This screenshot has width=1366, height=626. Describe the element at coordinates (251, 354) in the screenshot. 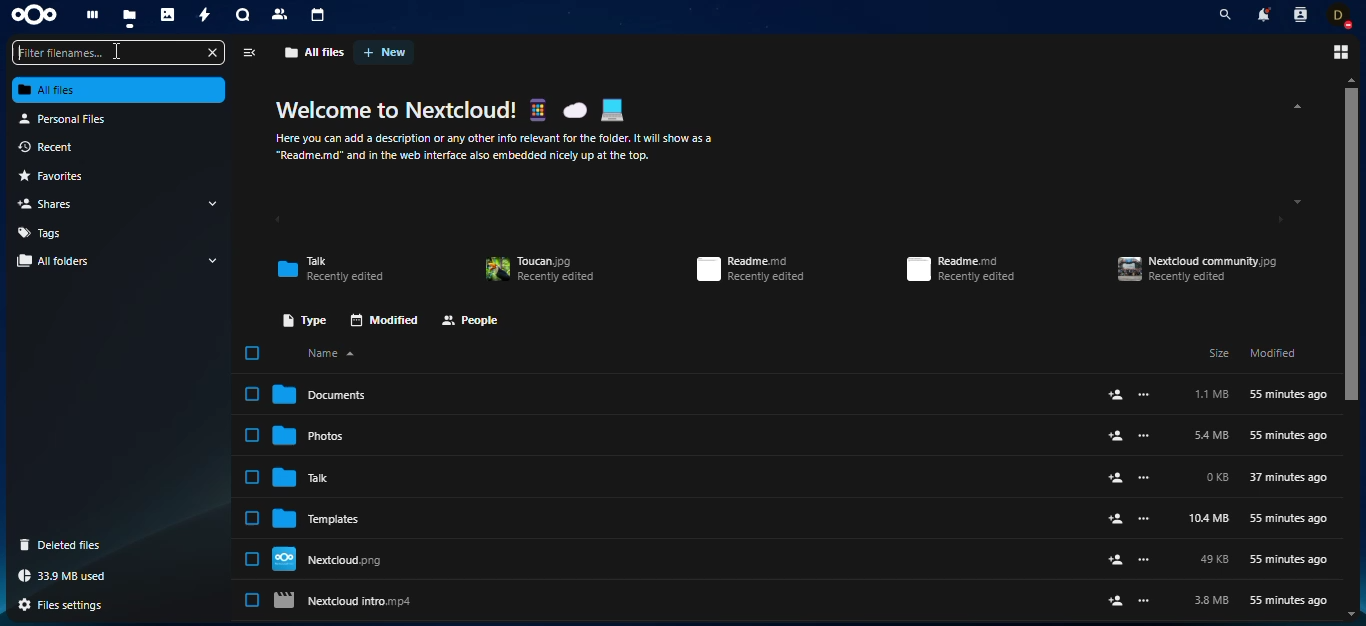

I see `select all` at that location.